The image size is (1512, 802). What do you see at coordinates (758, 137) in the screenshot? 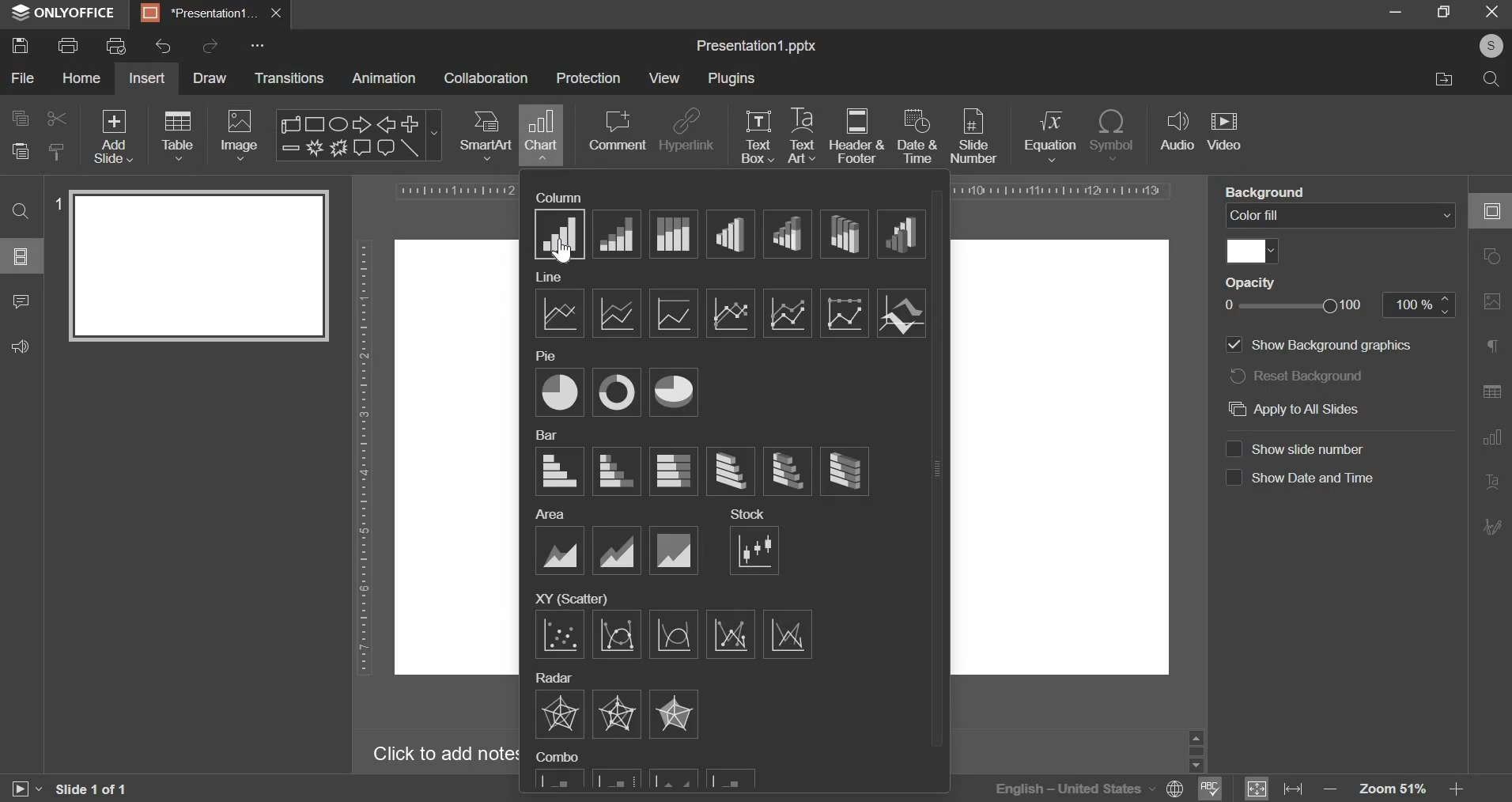
I see `text box` at bounding box center [758, 137].